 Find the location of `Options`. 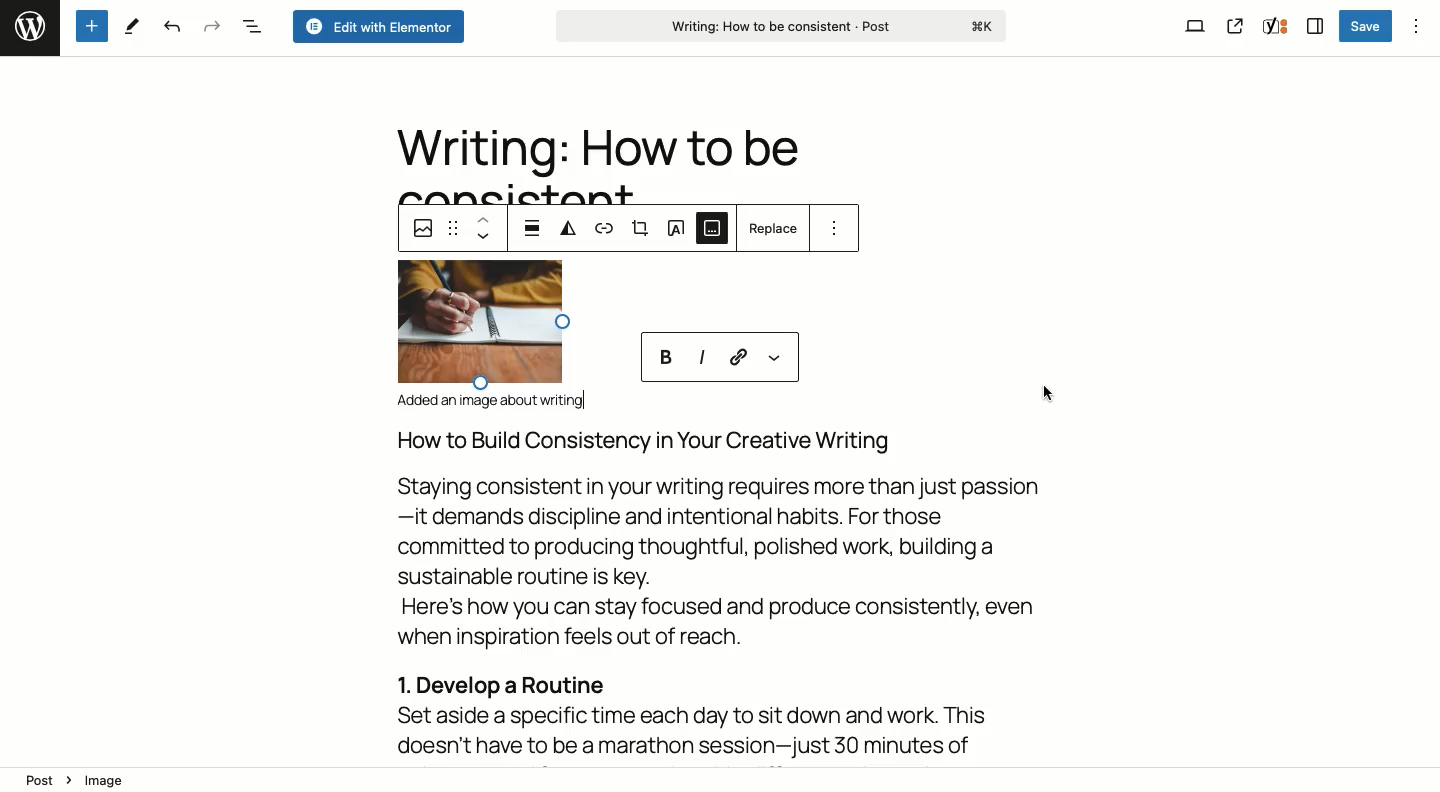

Options is located at coordinates (1415, 24).